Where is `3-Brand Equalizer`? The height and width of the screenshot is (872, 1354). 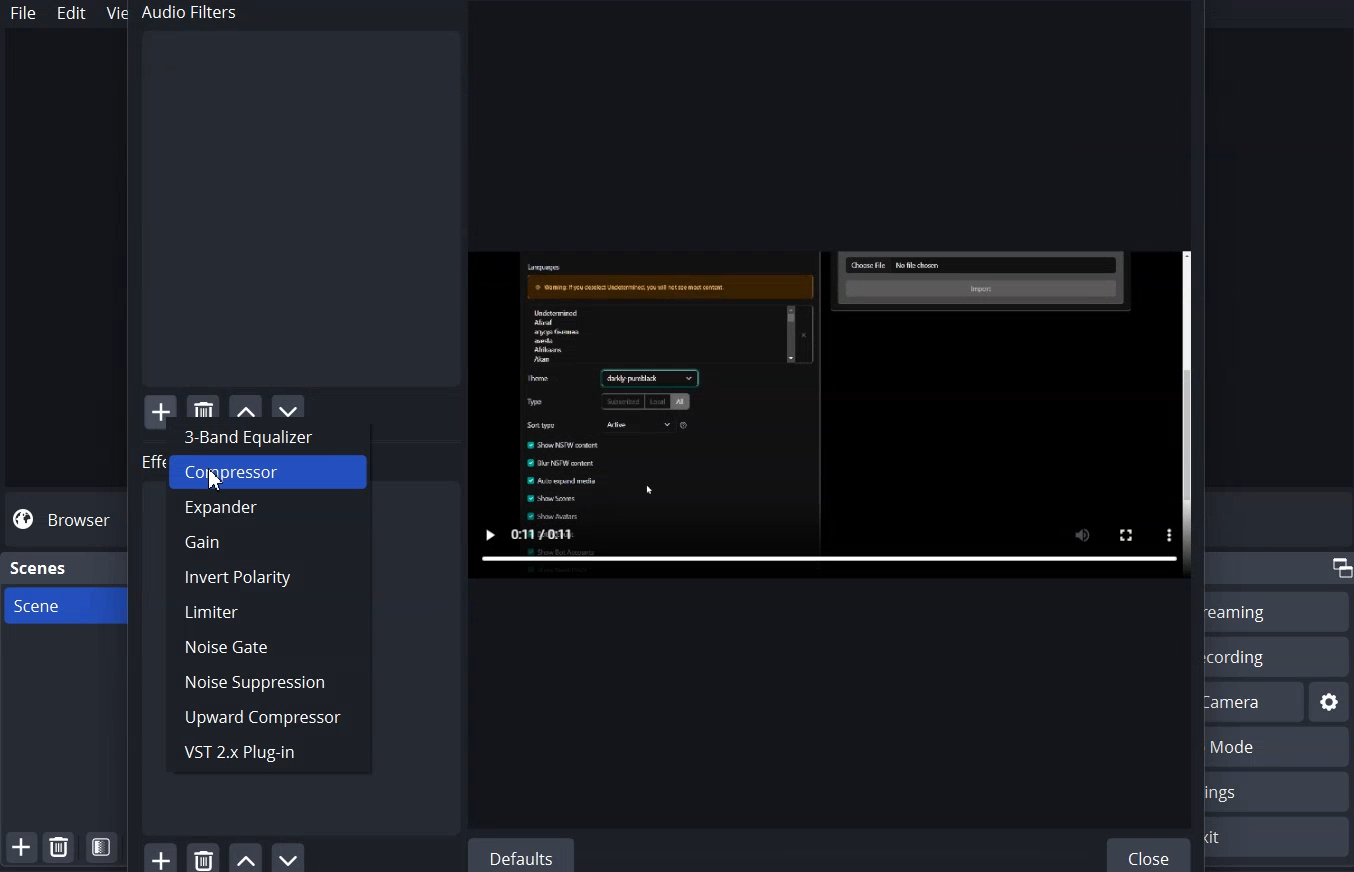 3-Brand Equalizer is located at coordinates (268, 434).